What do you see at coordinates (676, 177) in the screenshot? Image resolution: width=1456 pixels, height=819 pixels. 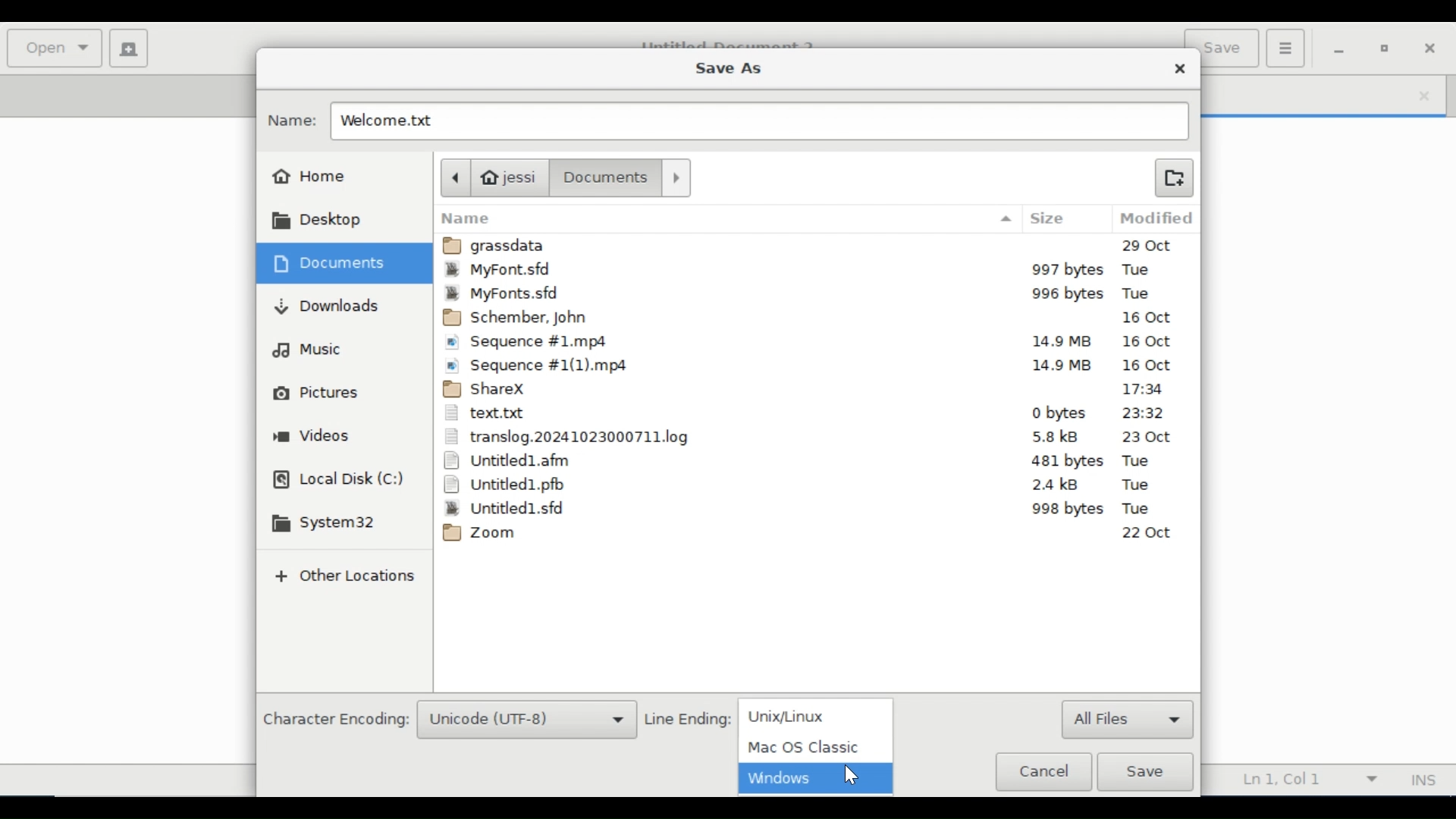 I see `Forward` at bounding box center [676, 177].